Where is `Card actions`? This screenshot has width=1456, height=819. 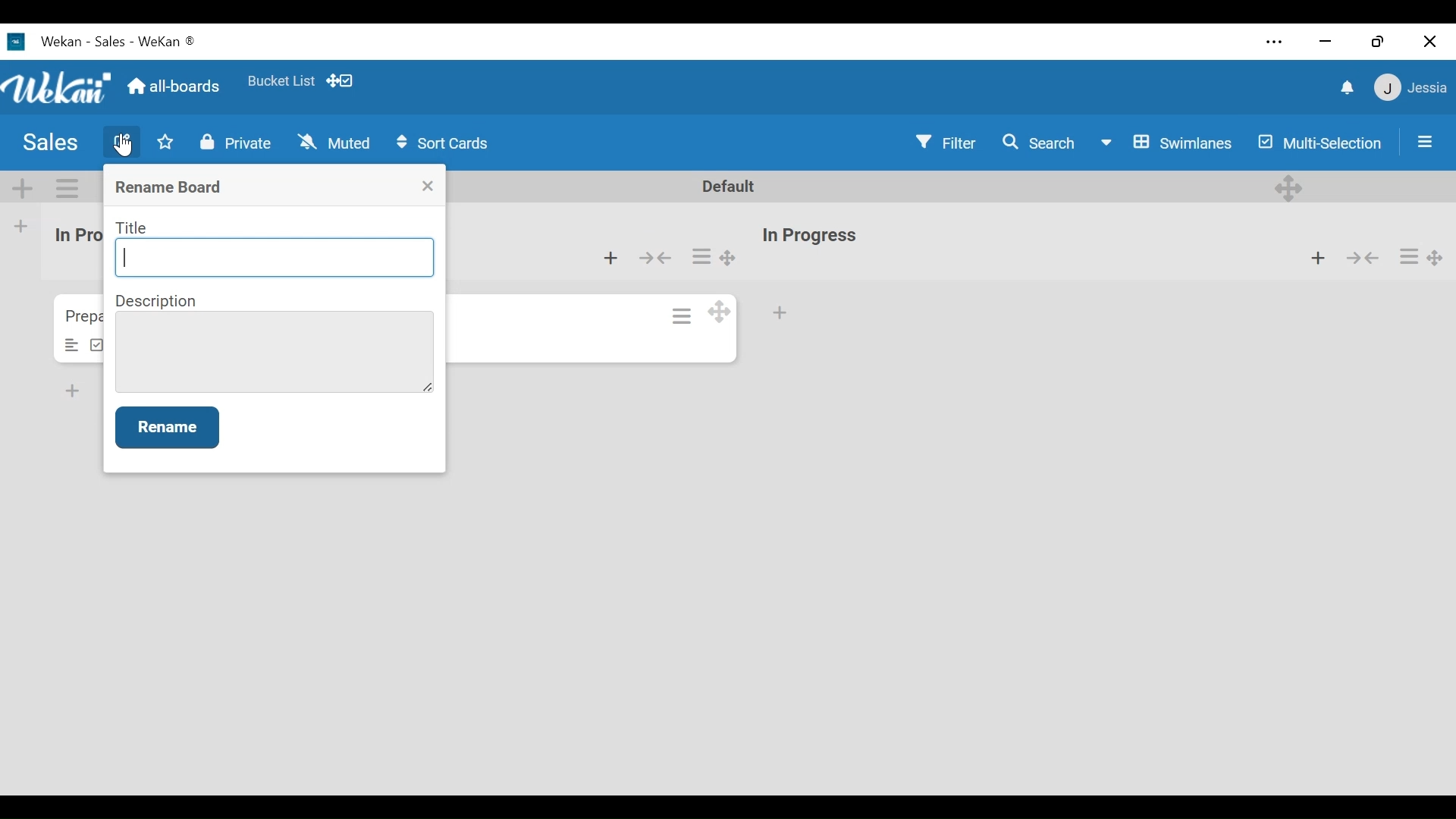 Card actions is located at coordinates (683, 315).